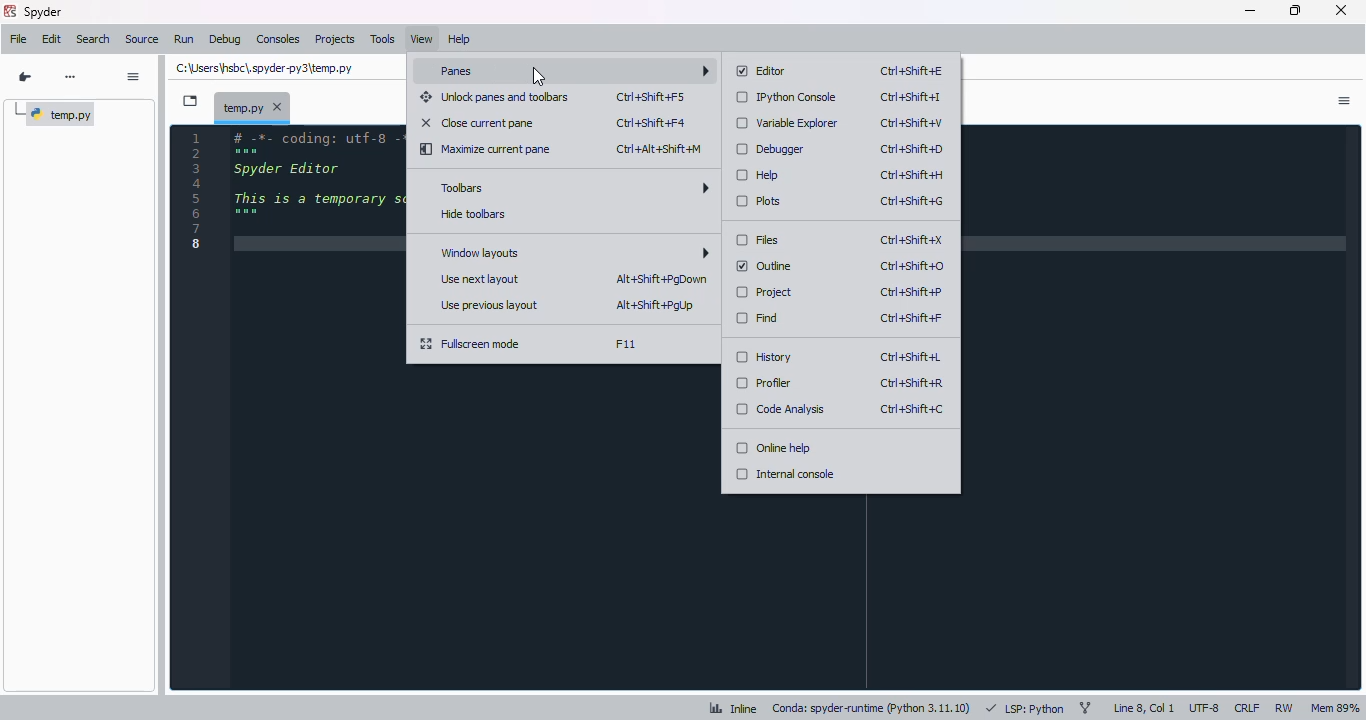 The width and height of the screenshot is (1366, 720). What do you see at coordinates (474, 214) in the screenshot?
I see `hide toolbars` at bounding box center [474, 214].